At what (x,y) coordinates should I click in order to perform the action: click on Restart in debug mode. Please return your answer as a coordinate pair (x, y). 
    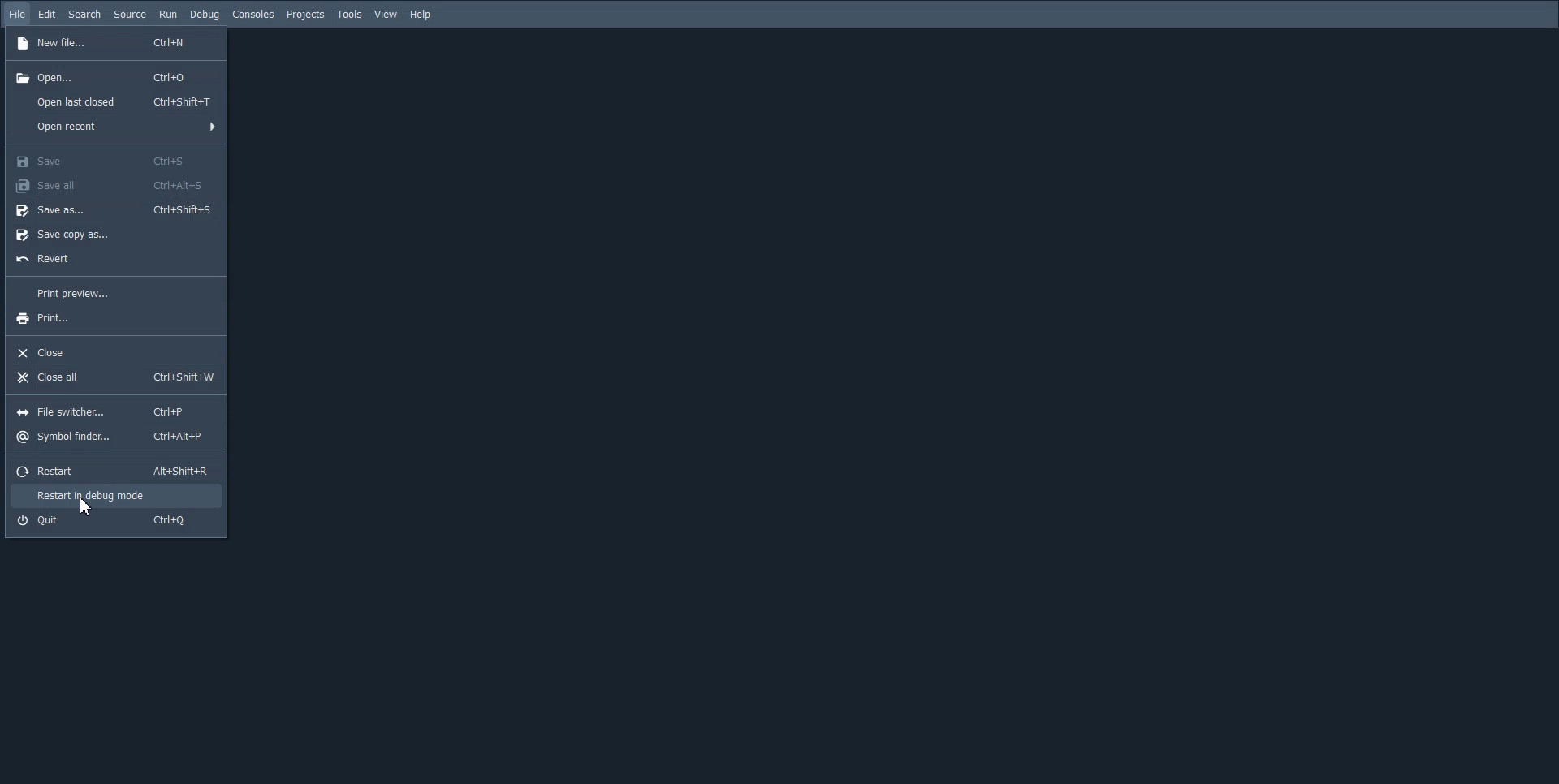
    Looking at the image, I should click on (114, 497).